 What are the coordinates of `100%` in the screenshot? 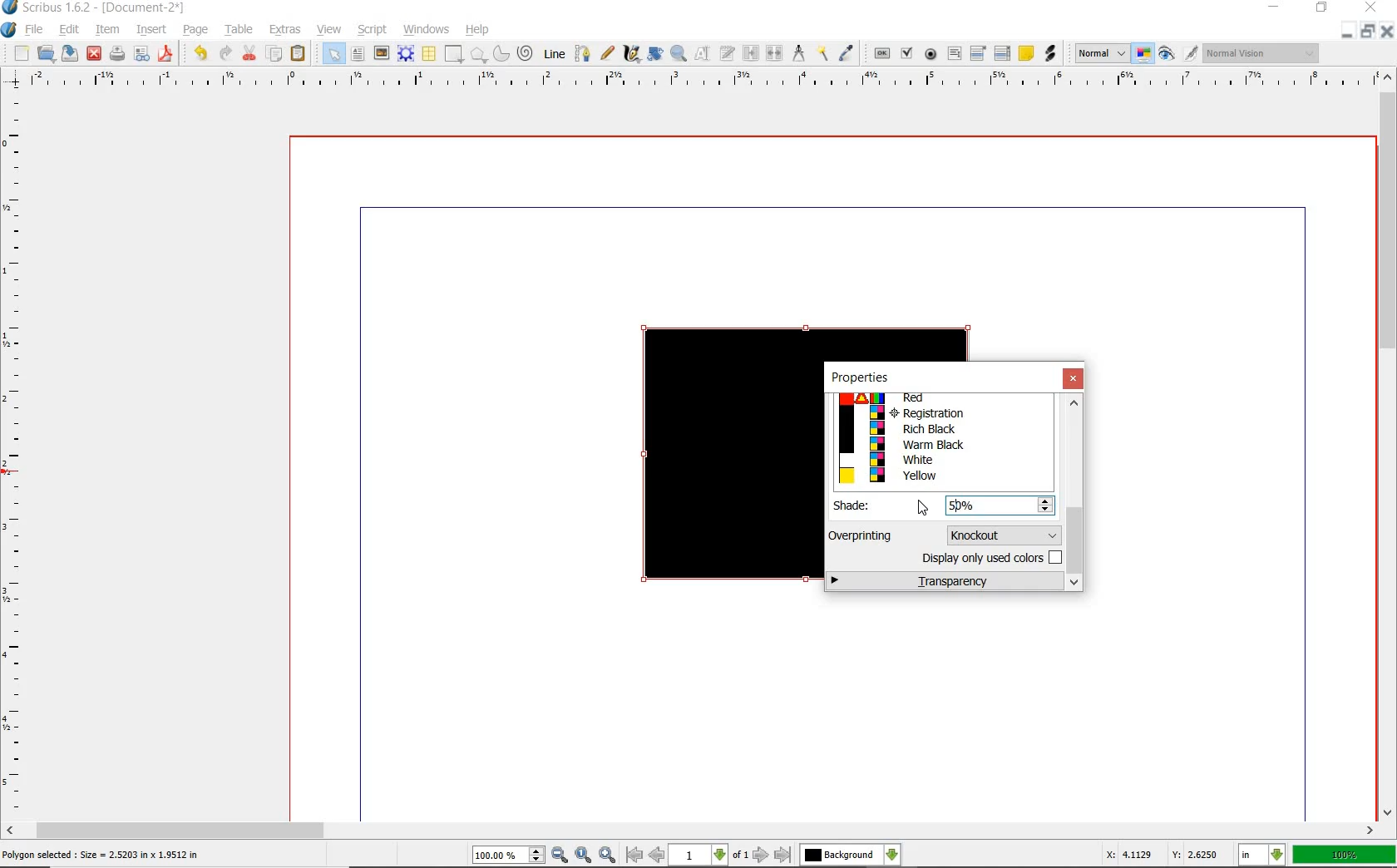 It's located at (1344, 856).